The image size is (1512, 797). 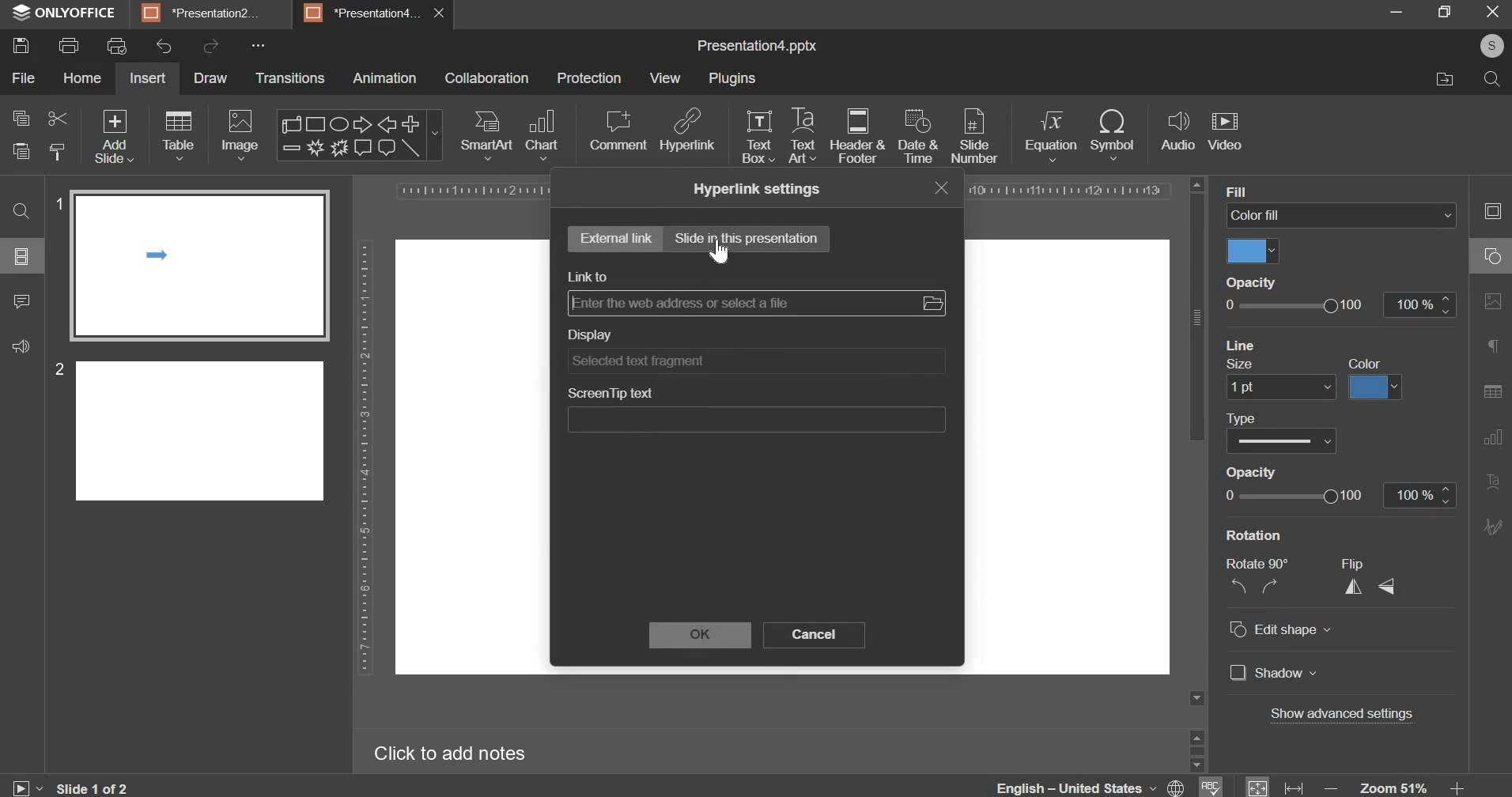 I want to click on draw, so click(x=210, y=77).